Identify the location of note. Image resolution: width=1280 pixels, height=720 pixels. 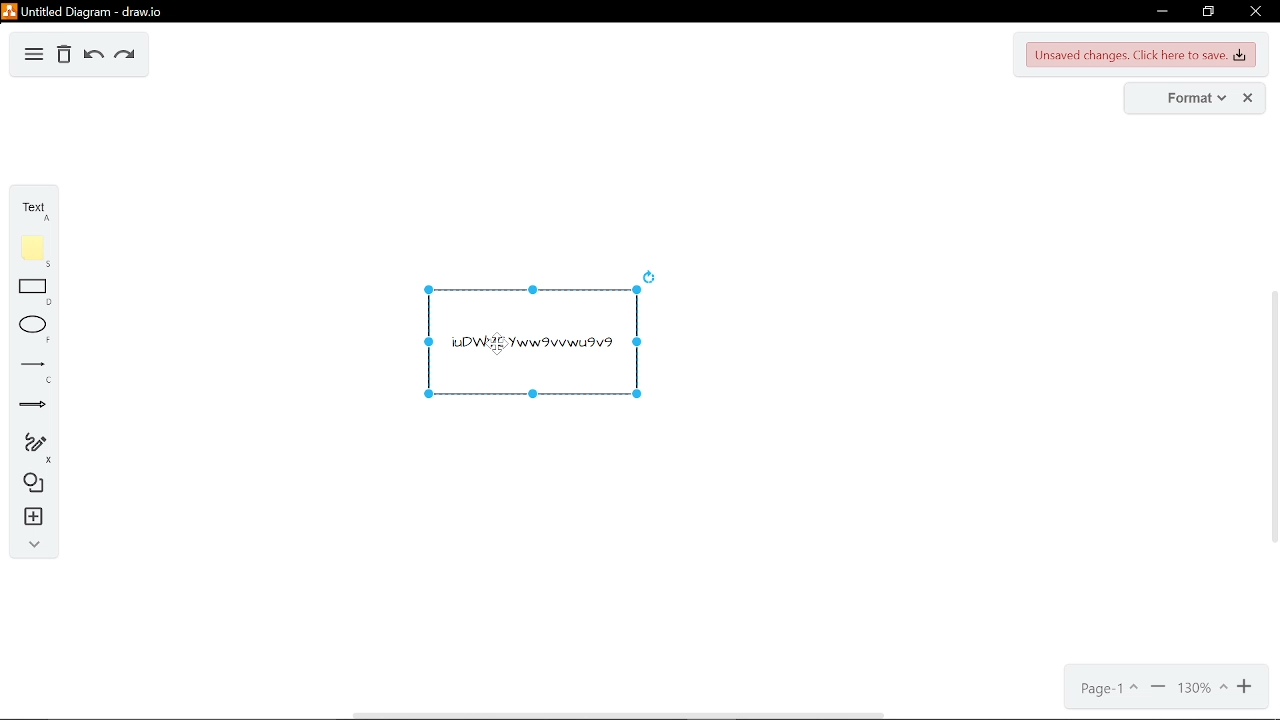
(29, 248).